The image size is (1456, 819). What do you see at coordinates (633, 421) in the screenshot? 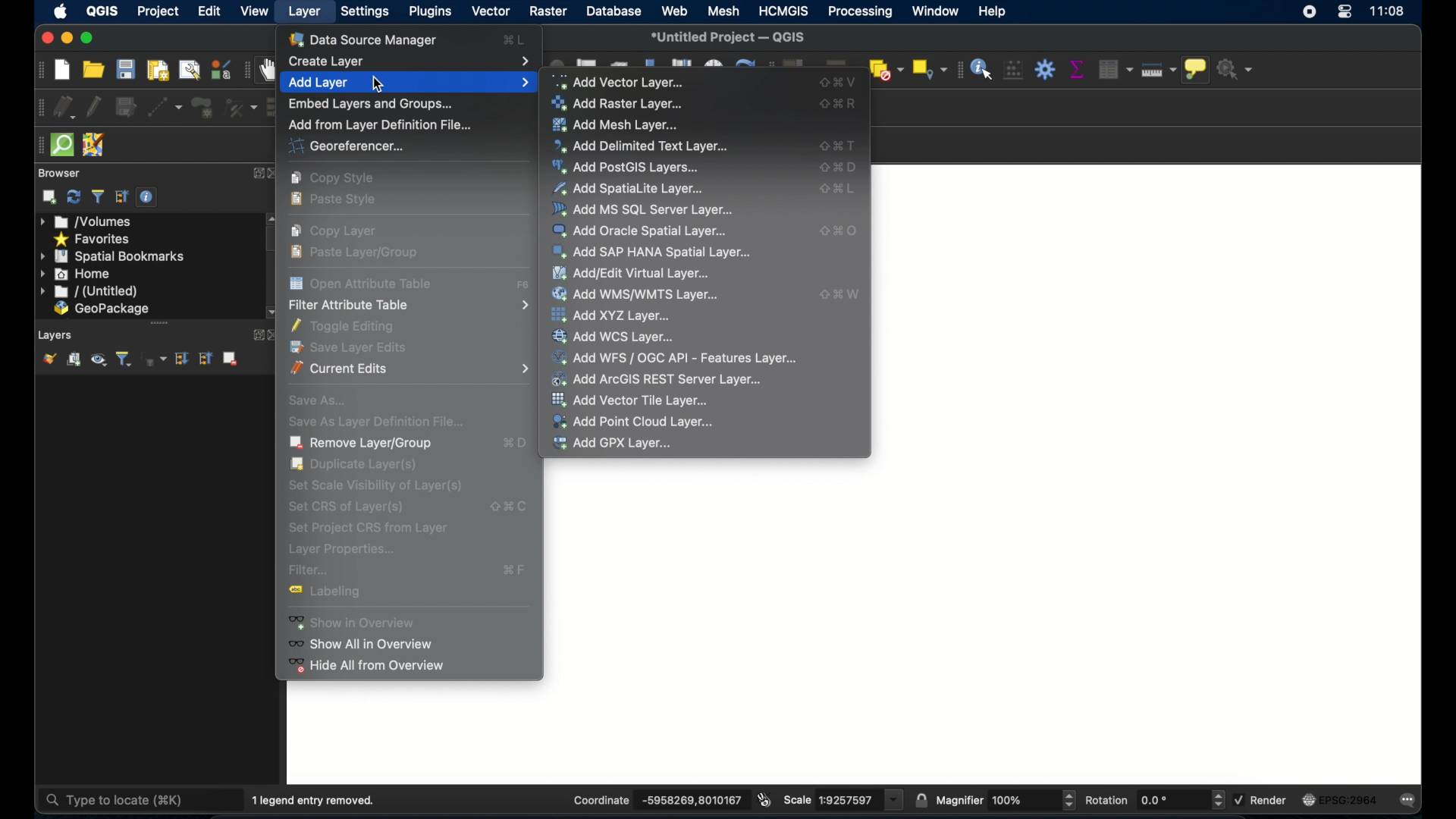
I see `add point cloud layer` at bounding box center [633, 421].